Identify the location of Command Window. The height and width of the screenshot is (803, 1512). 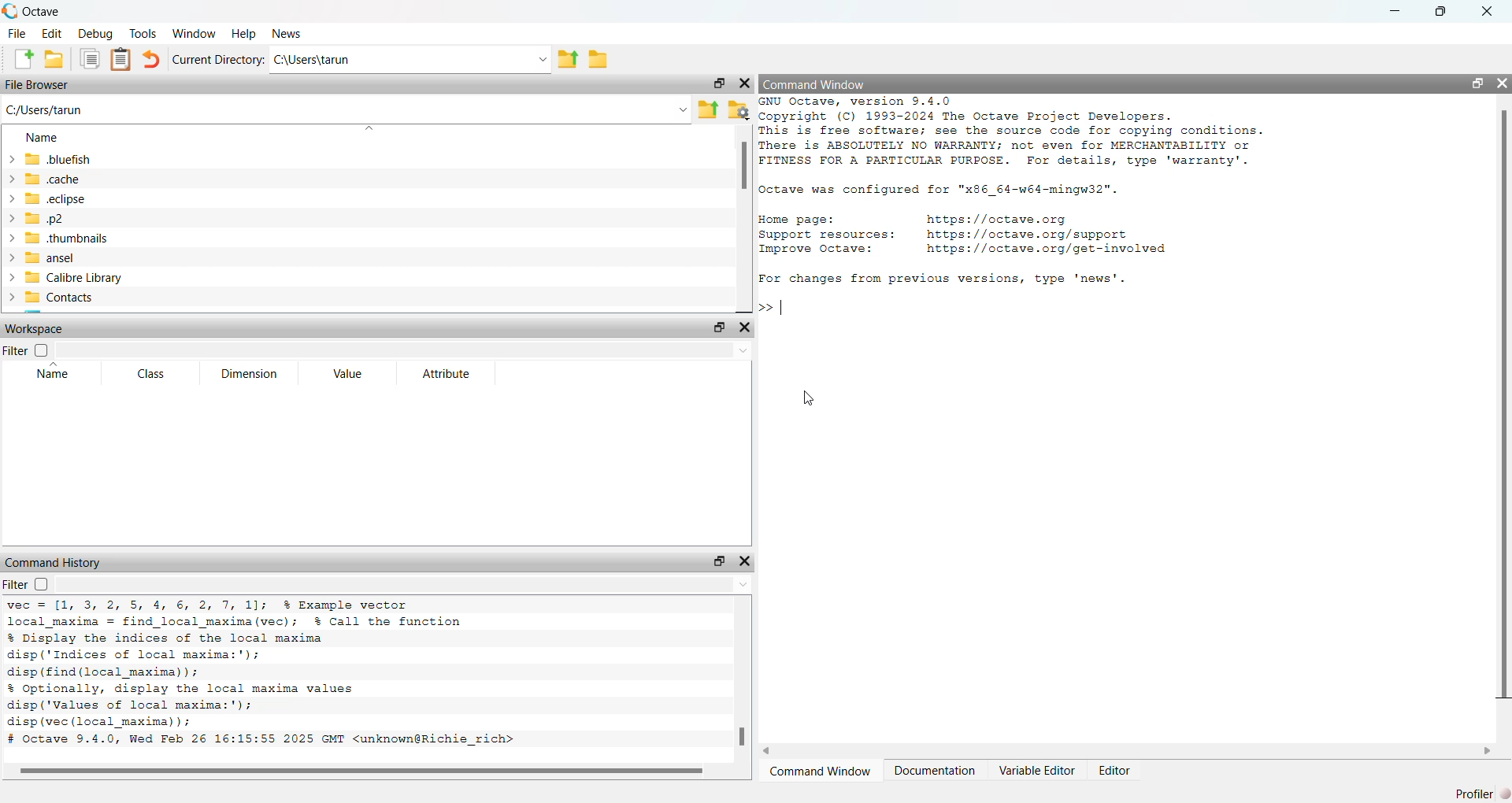
(820, 771).